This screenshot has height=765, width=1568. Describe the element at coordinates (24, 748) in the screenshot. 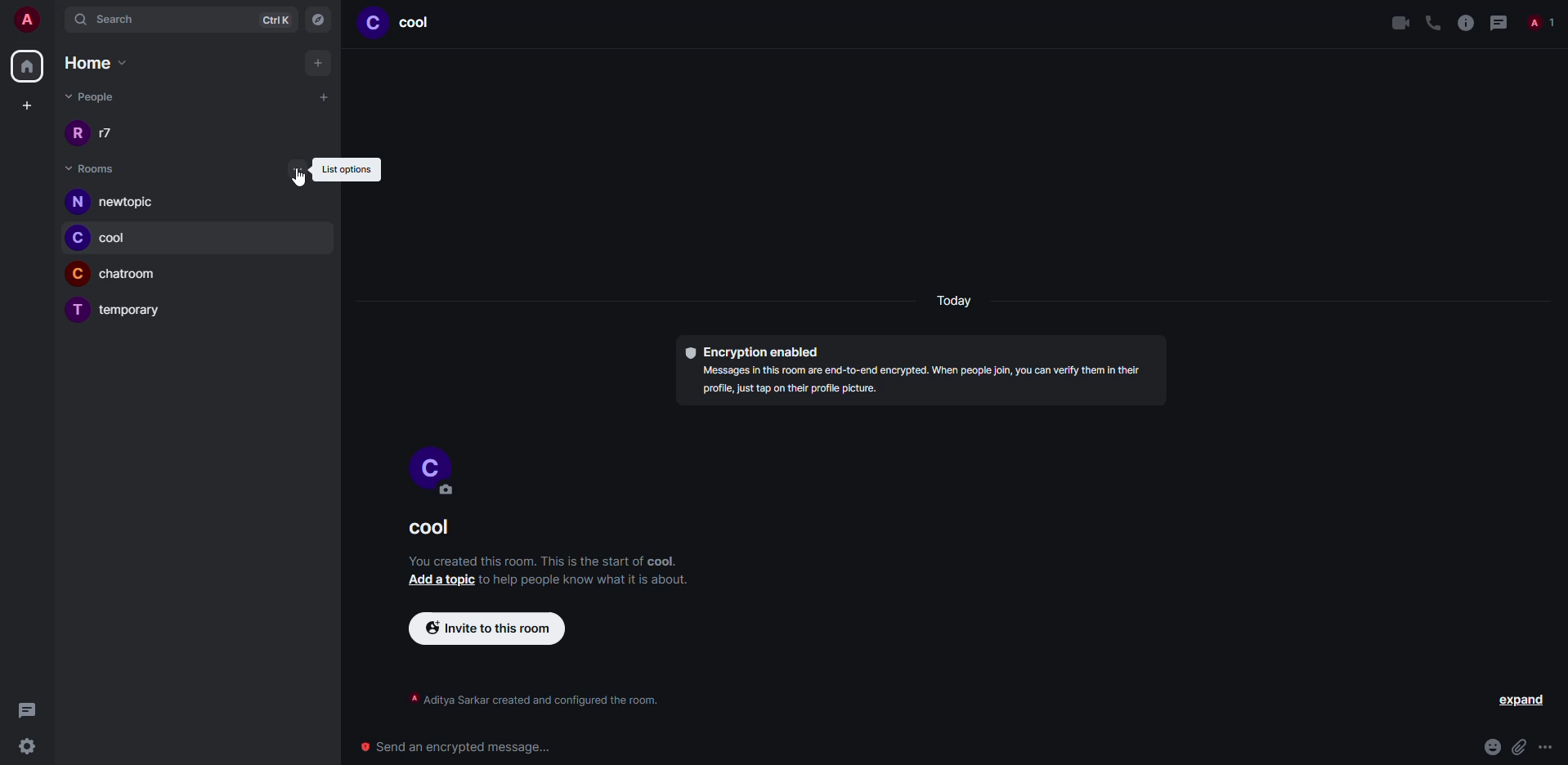

I see `settings` at that location.